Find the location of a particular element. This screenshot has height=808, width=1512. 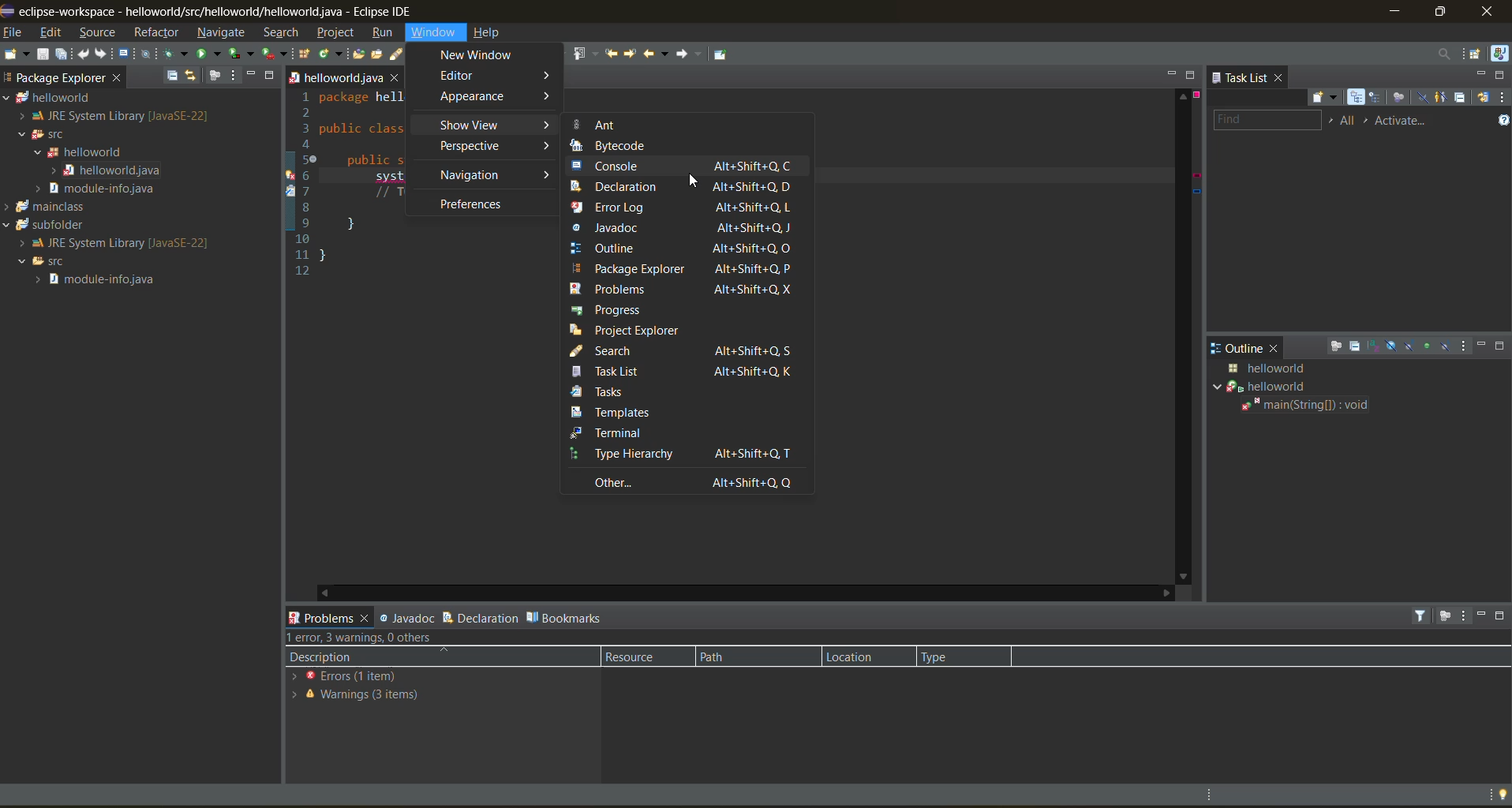

next annotation is located at coordinates (555, 54).